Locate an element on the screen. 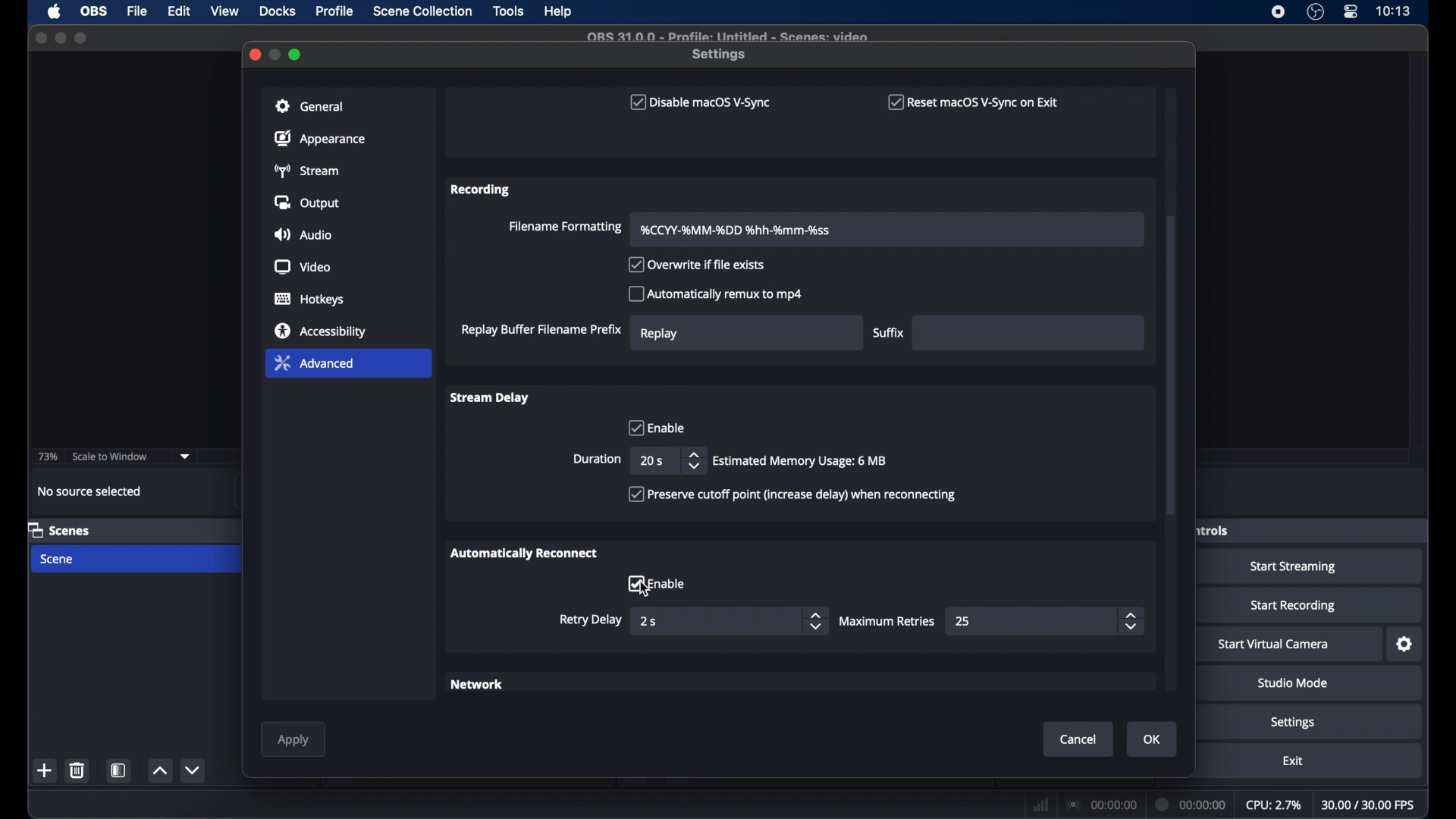 Image resolution: width=1456 pixels, height=819 pixels. stream is located at coordinates (306, 171).